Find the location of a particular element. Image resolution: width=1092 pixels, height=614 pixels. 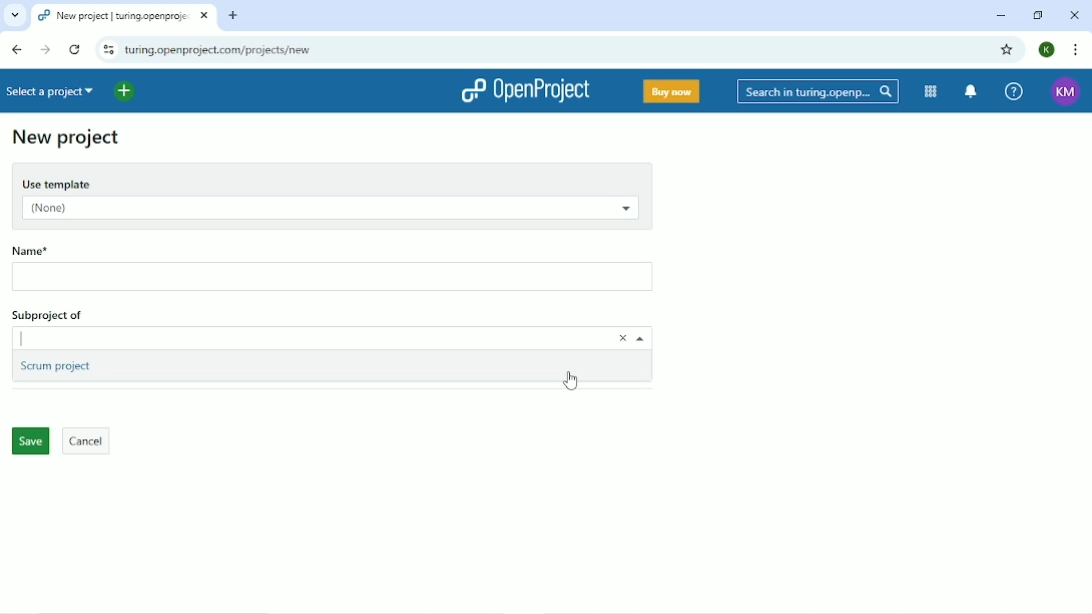

Typing cursor is located at coordinates (42, 338).